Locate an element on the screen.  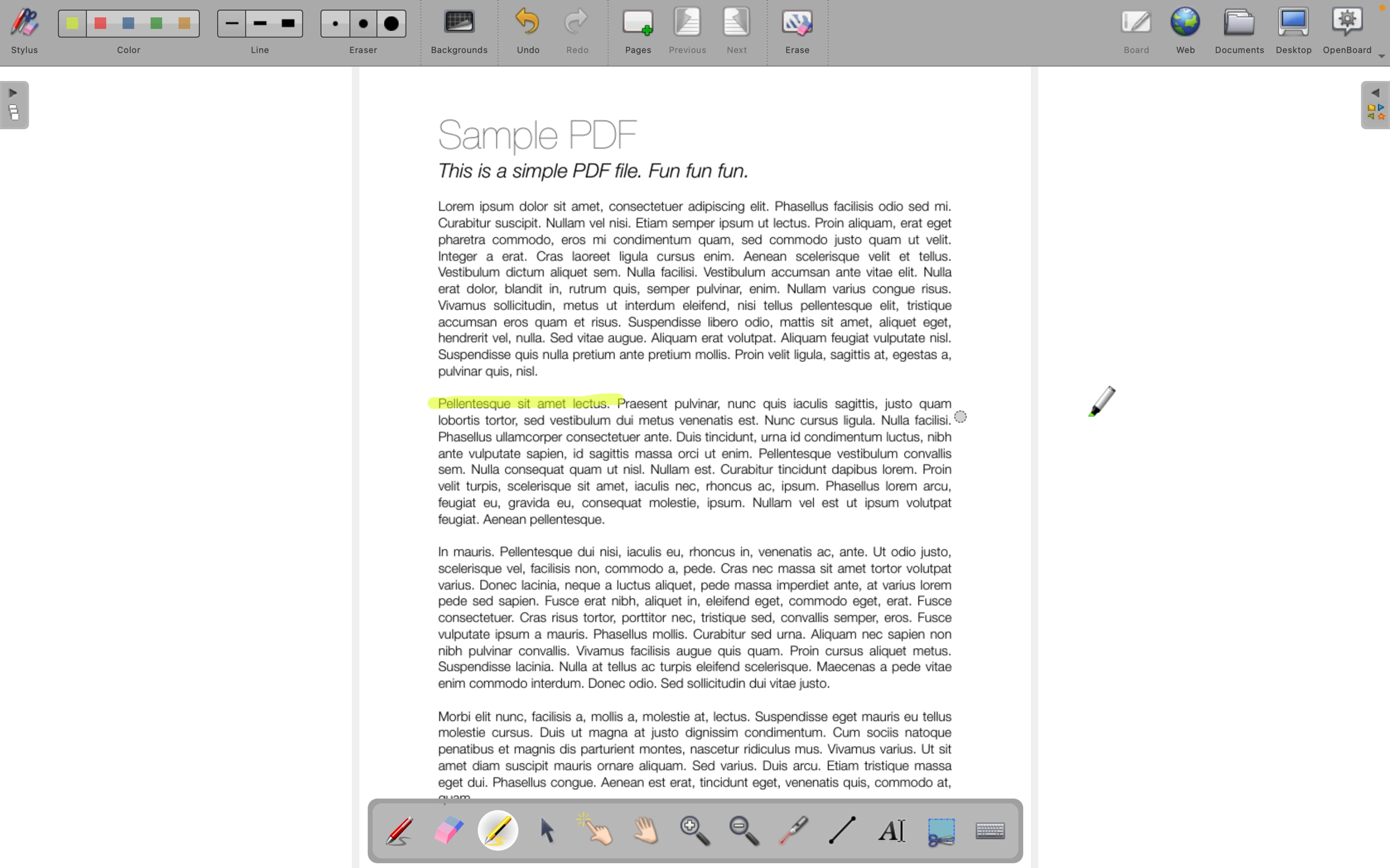
undo is located at coordinates (522, 32).